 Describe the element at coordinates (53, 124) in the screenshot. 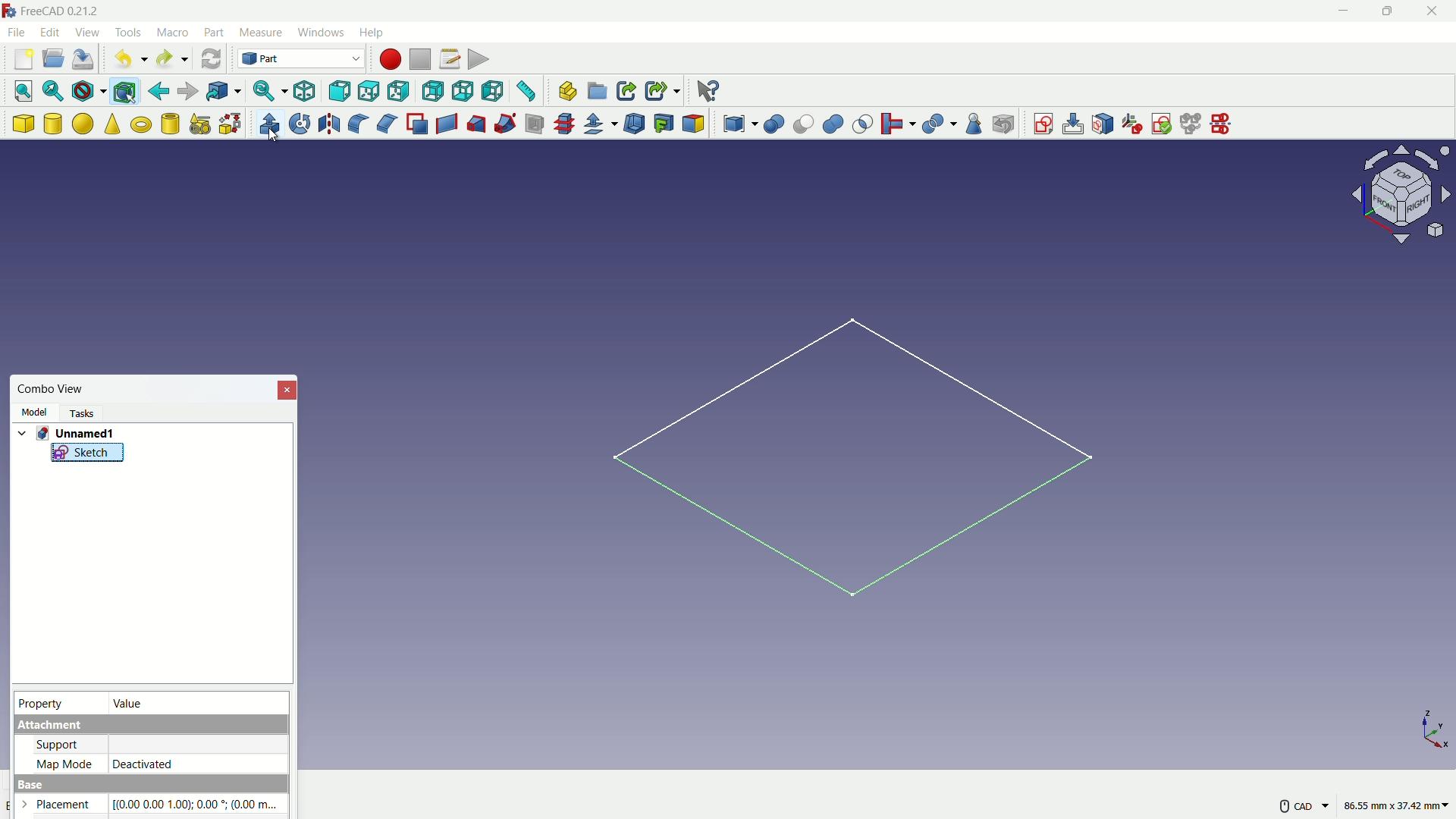

I see `cylinder` at that location.